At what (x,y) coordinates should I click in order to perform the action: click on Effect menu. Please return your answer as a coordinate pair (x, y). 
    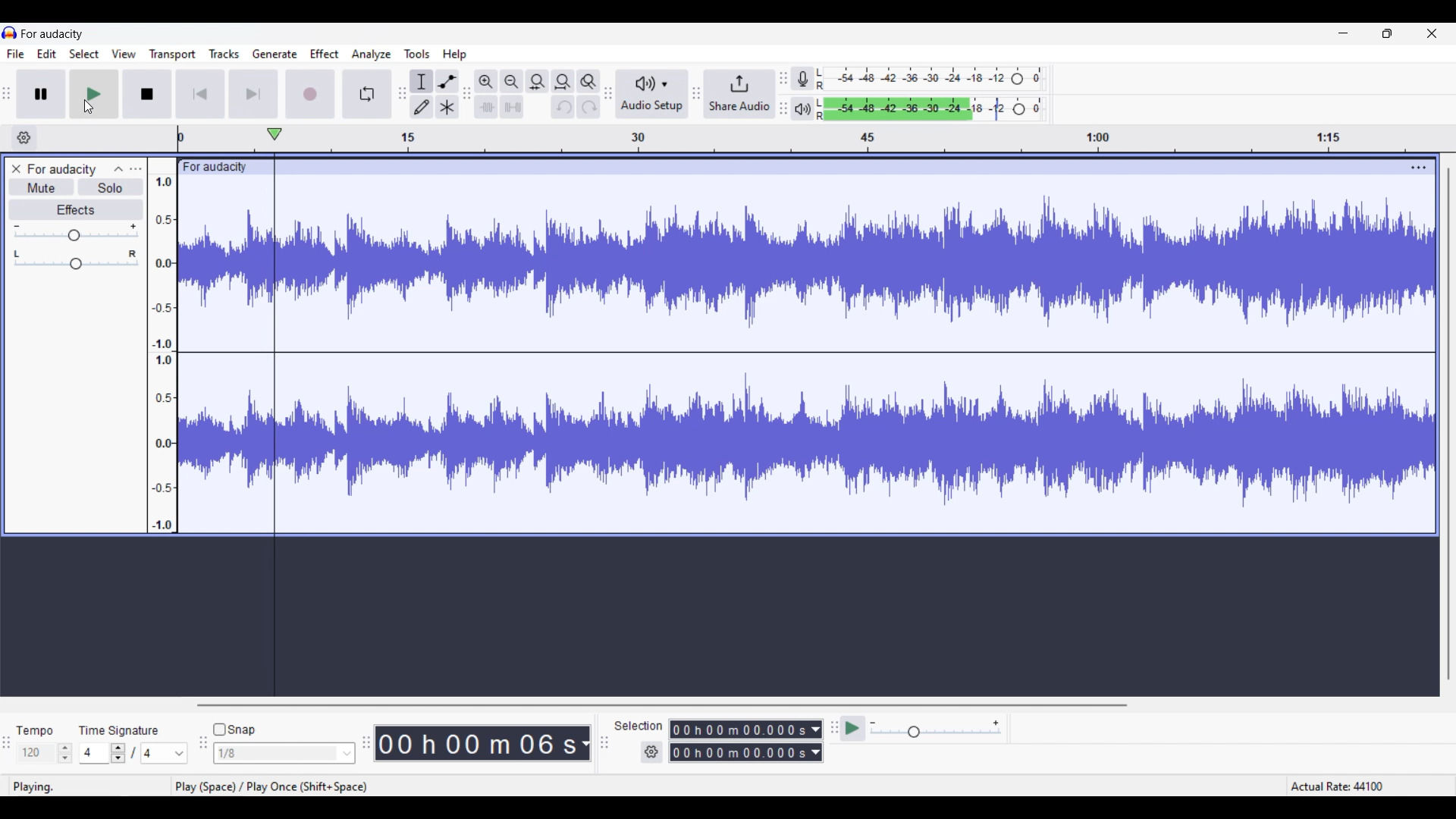
    Looking at the image, I should click on (325, 54).